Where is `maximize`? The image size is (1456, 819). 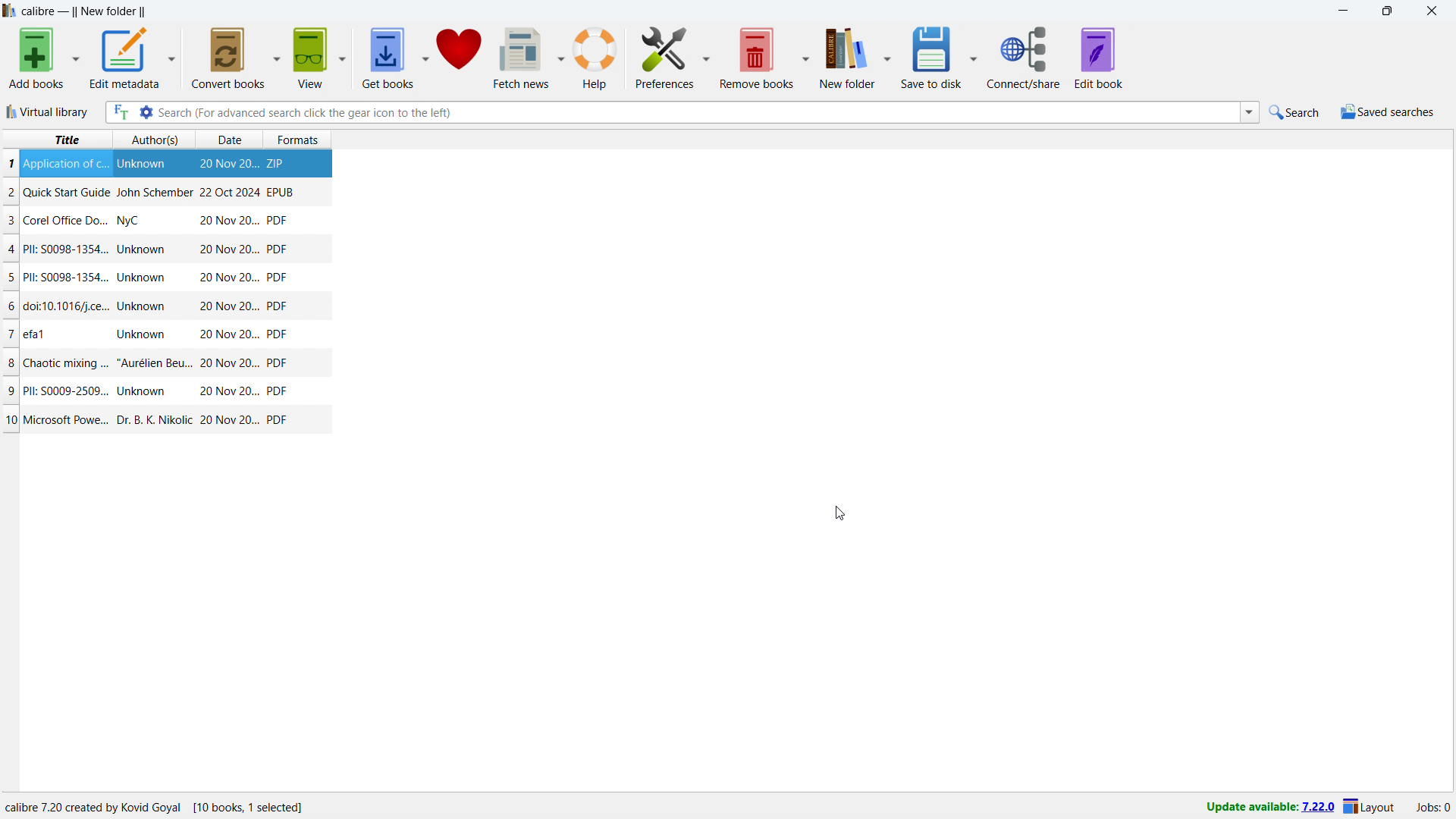
maximize is located at coordinates (1387, 11).